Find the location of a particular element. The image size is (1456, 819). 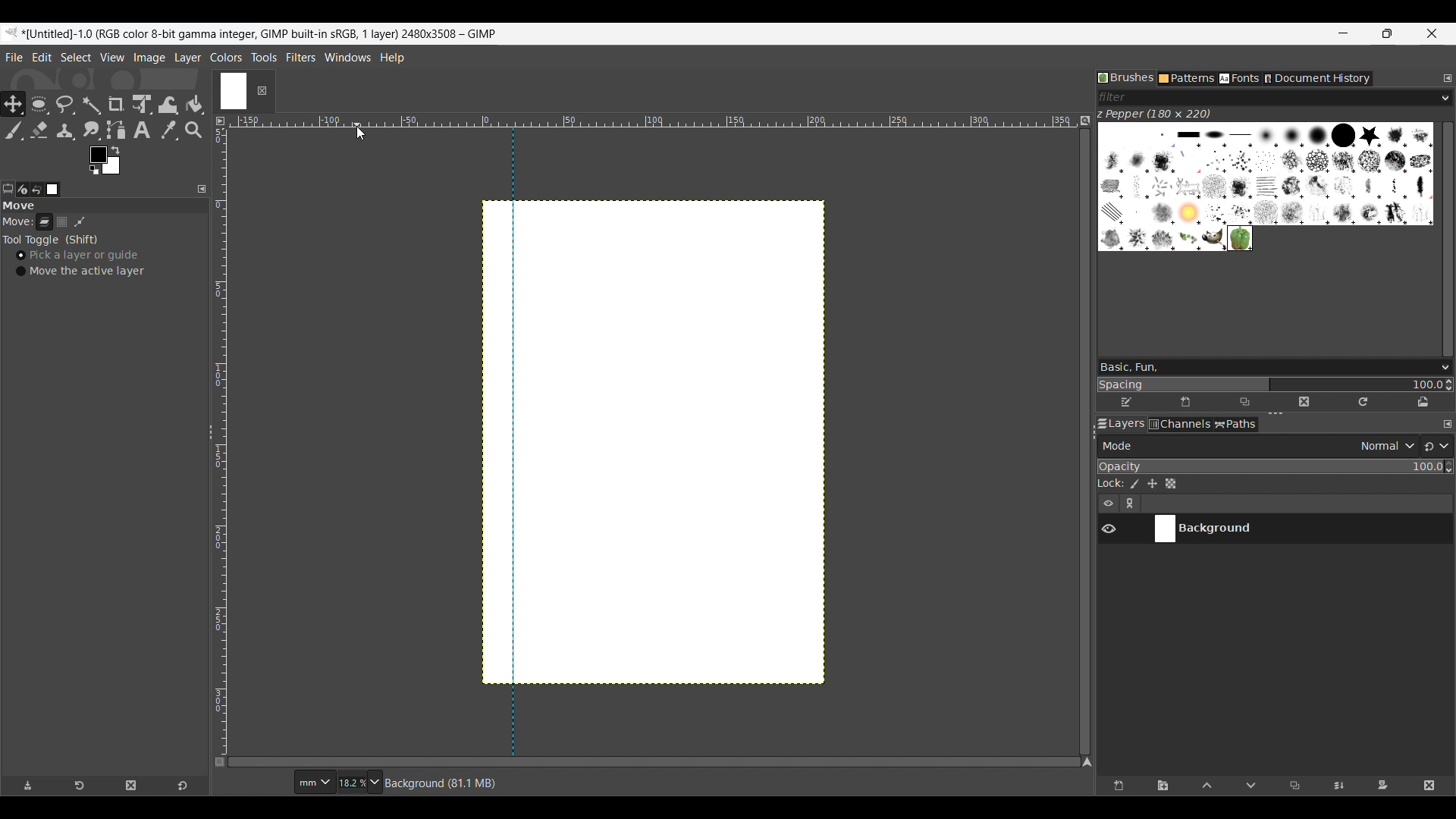

Horizontal euler is located at coordinates (652, 119).